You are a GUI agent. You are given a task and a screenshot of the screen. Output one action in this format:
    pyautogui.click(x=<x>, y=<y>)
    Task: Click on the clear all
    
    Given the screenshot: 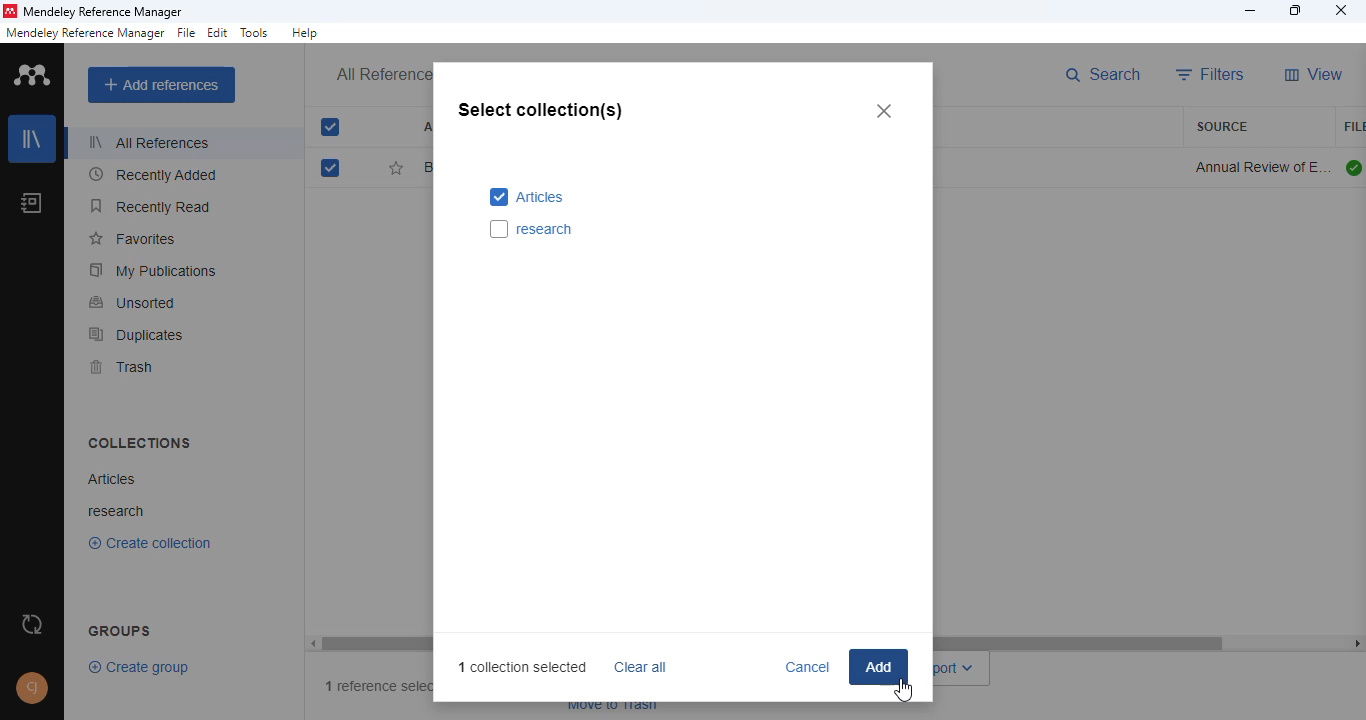 What is the action you would take?
    pyautogui.click(x=641, y=668)
    